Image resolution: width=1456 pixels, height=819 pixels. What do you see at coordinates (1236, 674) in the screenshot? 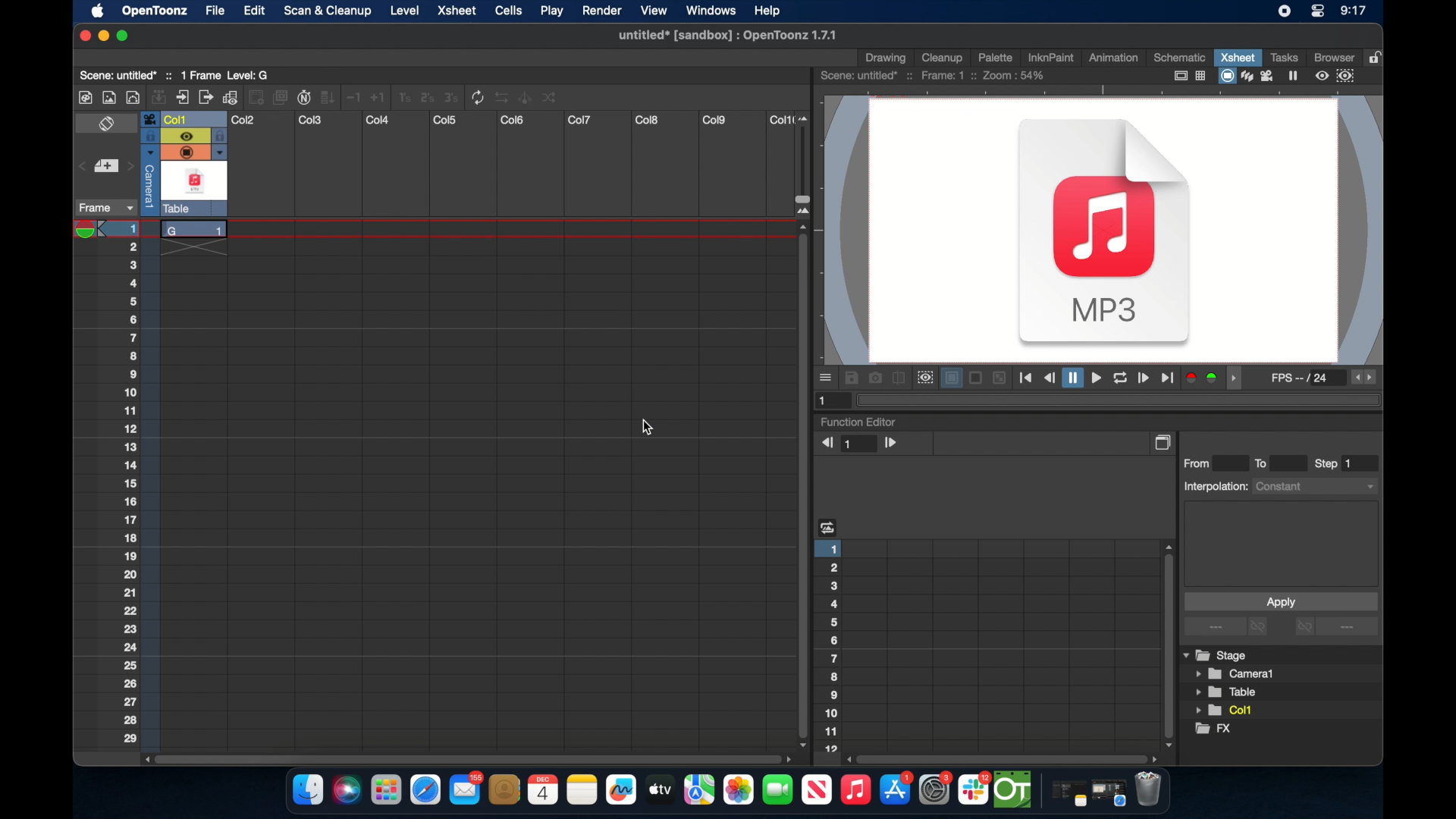
I see `camera1` at bounding box center [1236, 674].